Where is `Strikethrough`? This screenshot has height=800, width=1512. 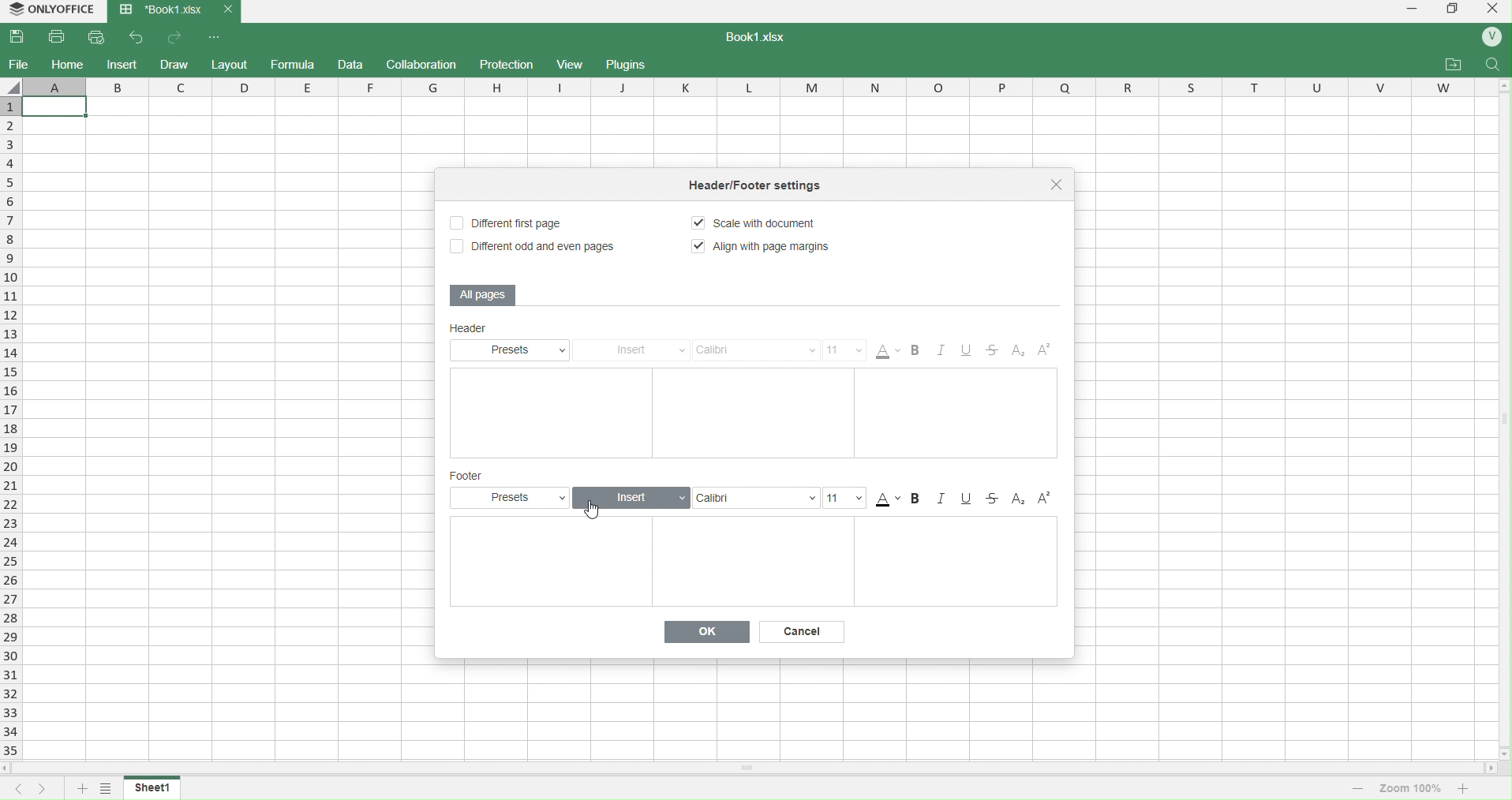
Strikethrough is located at coordinates (996, 352).